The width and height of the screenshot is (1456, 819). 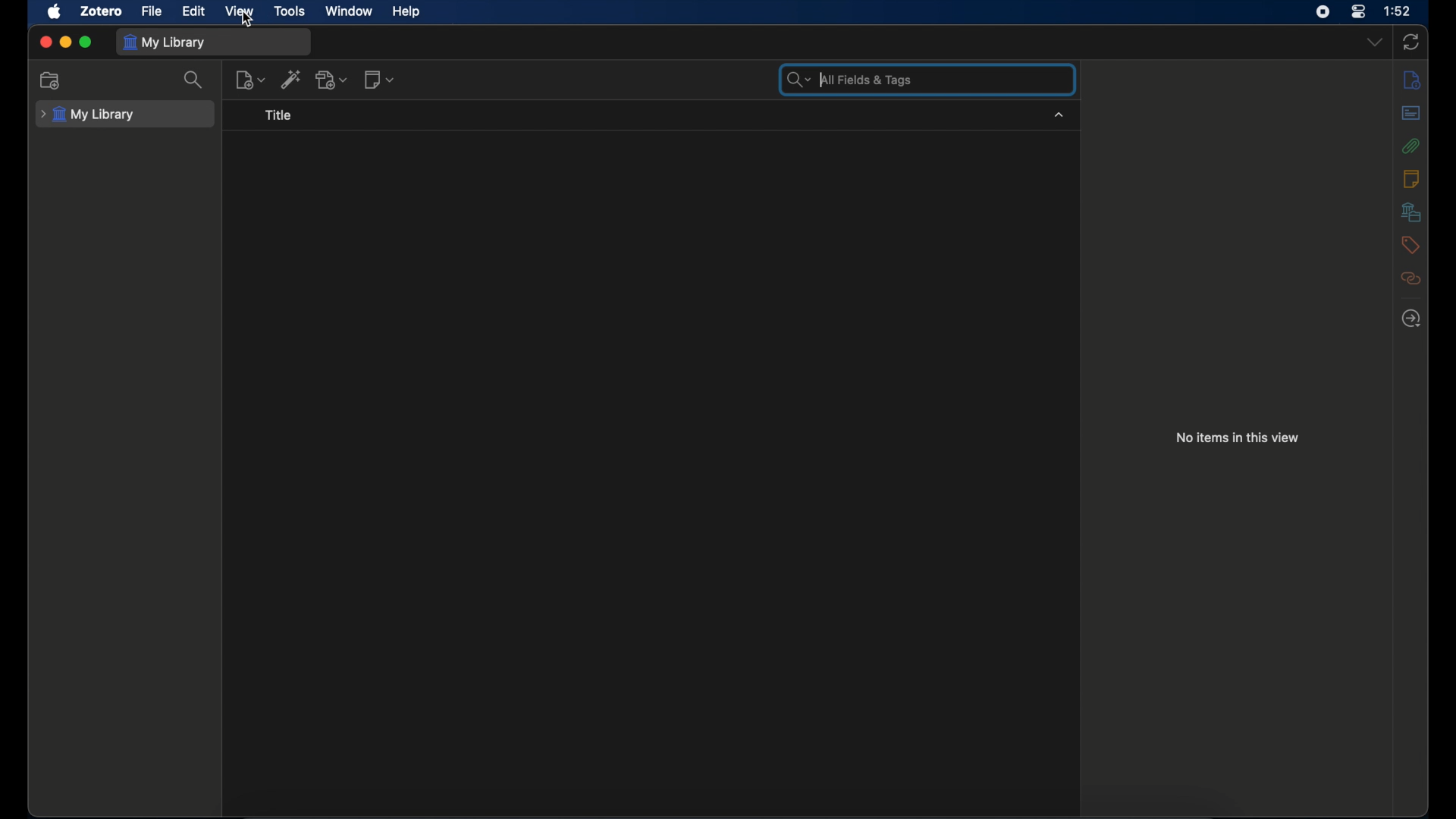 What do you see at coordinates (1412, 42) in the screenshot?
I see `sync` at bounding box center [1412, 42].